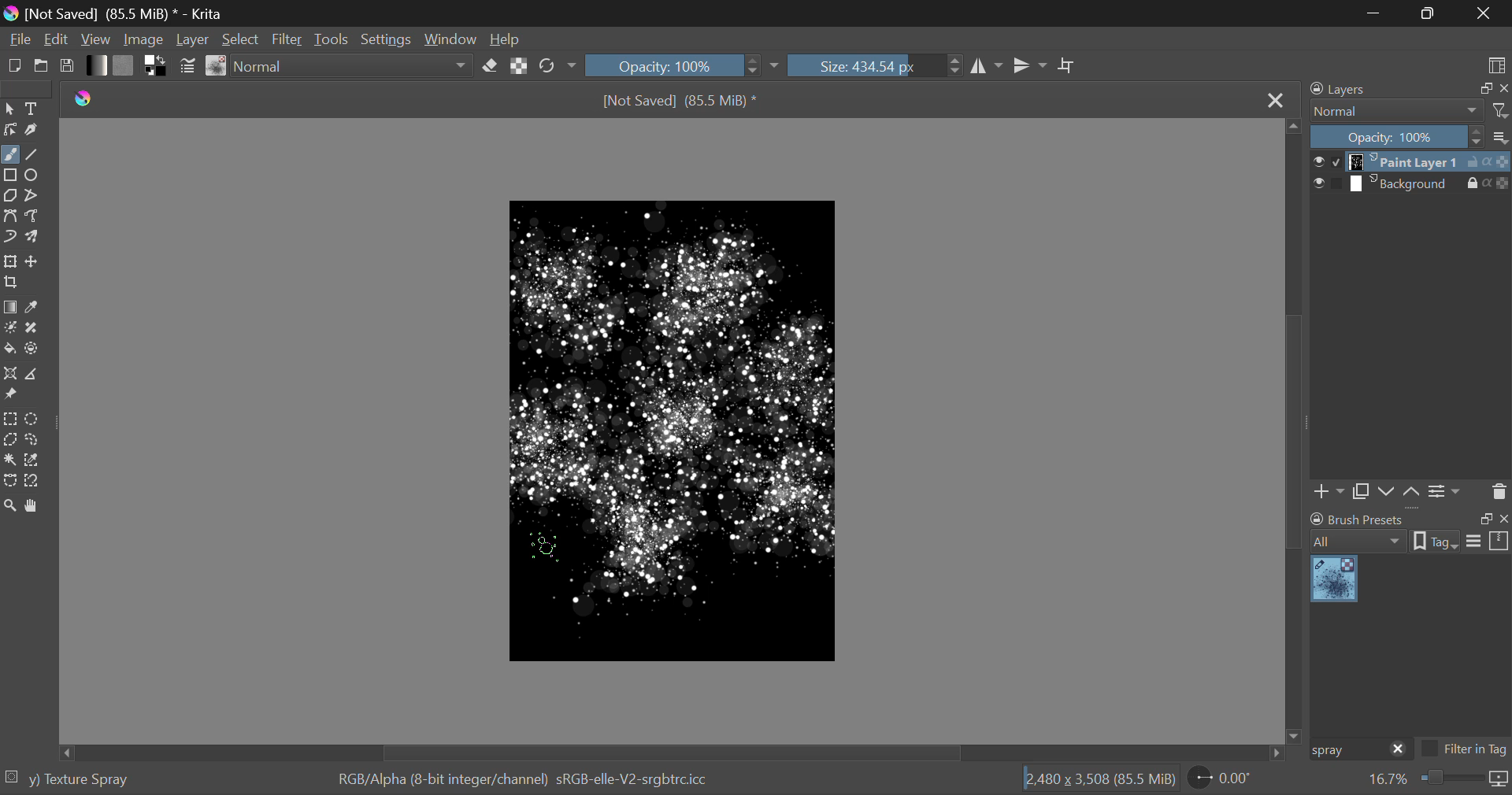 The height and width of the screenshot is (795, 1512). I want to click on zoom slider, so click(1450, 779).